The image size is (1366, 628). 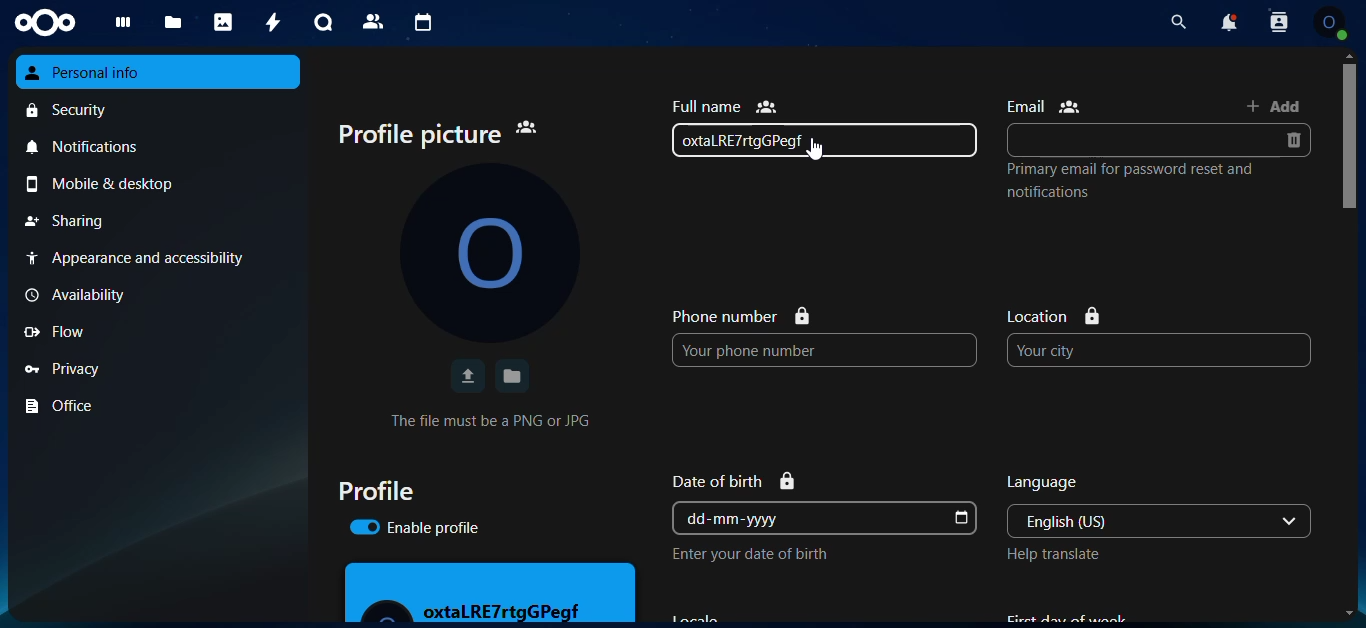 I want to click on profile picture, so click(x=489, y=252).